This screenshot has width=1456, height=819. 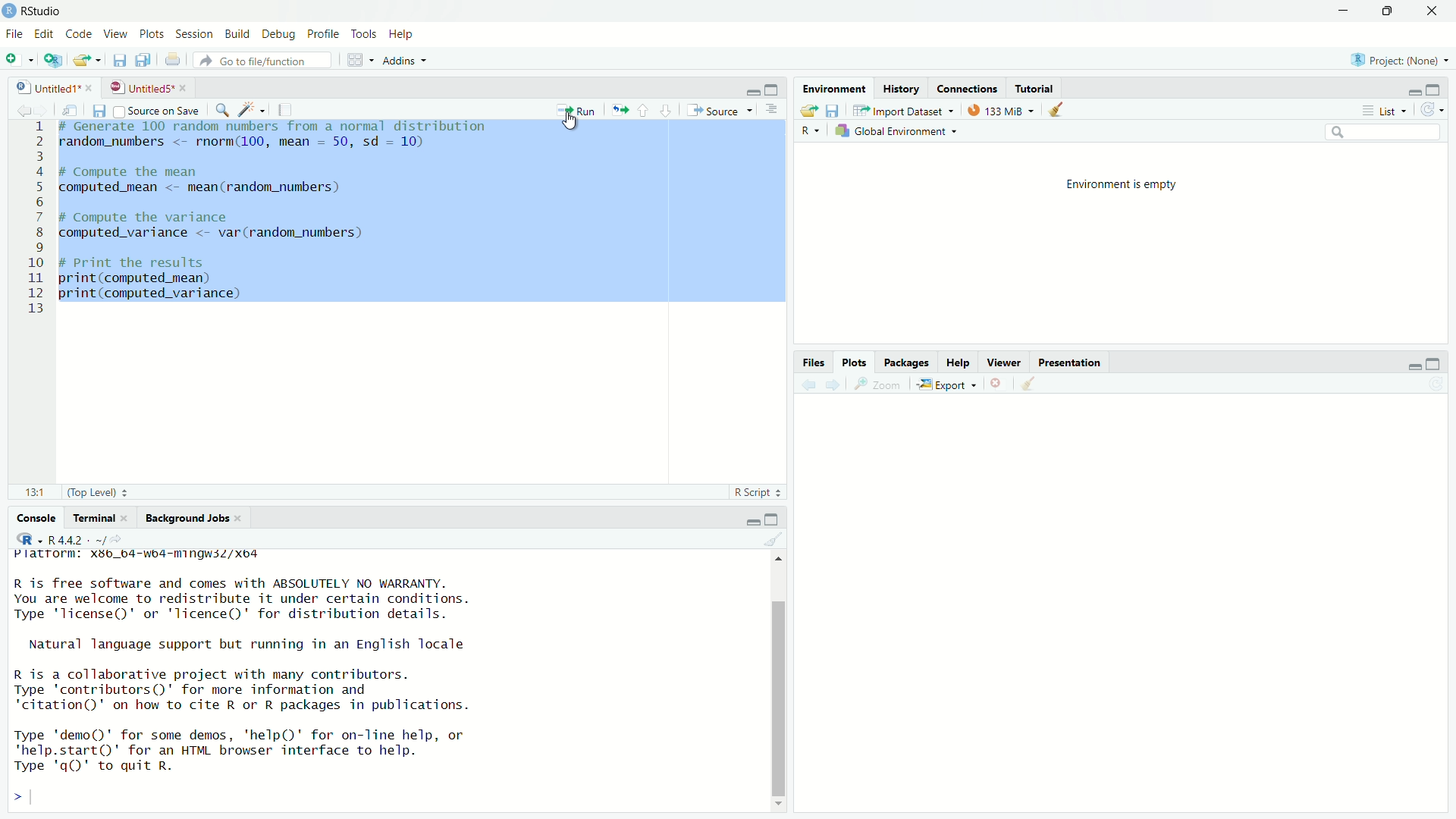 I want to click on open an existing file, so click(x=89, y=60).